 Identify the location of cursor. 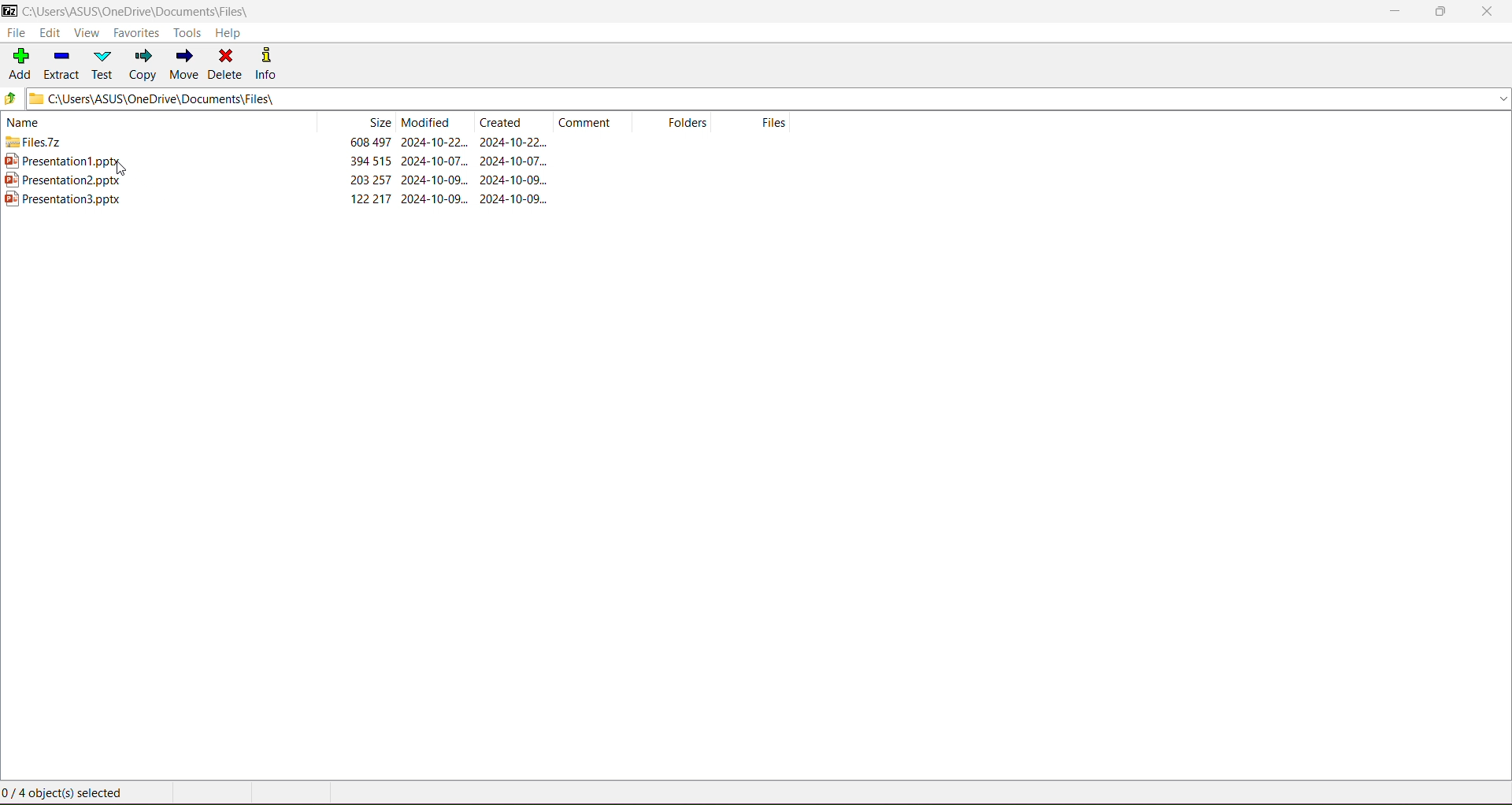
(122, 169).